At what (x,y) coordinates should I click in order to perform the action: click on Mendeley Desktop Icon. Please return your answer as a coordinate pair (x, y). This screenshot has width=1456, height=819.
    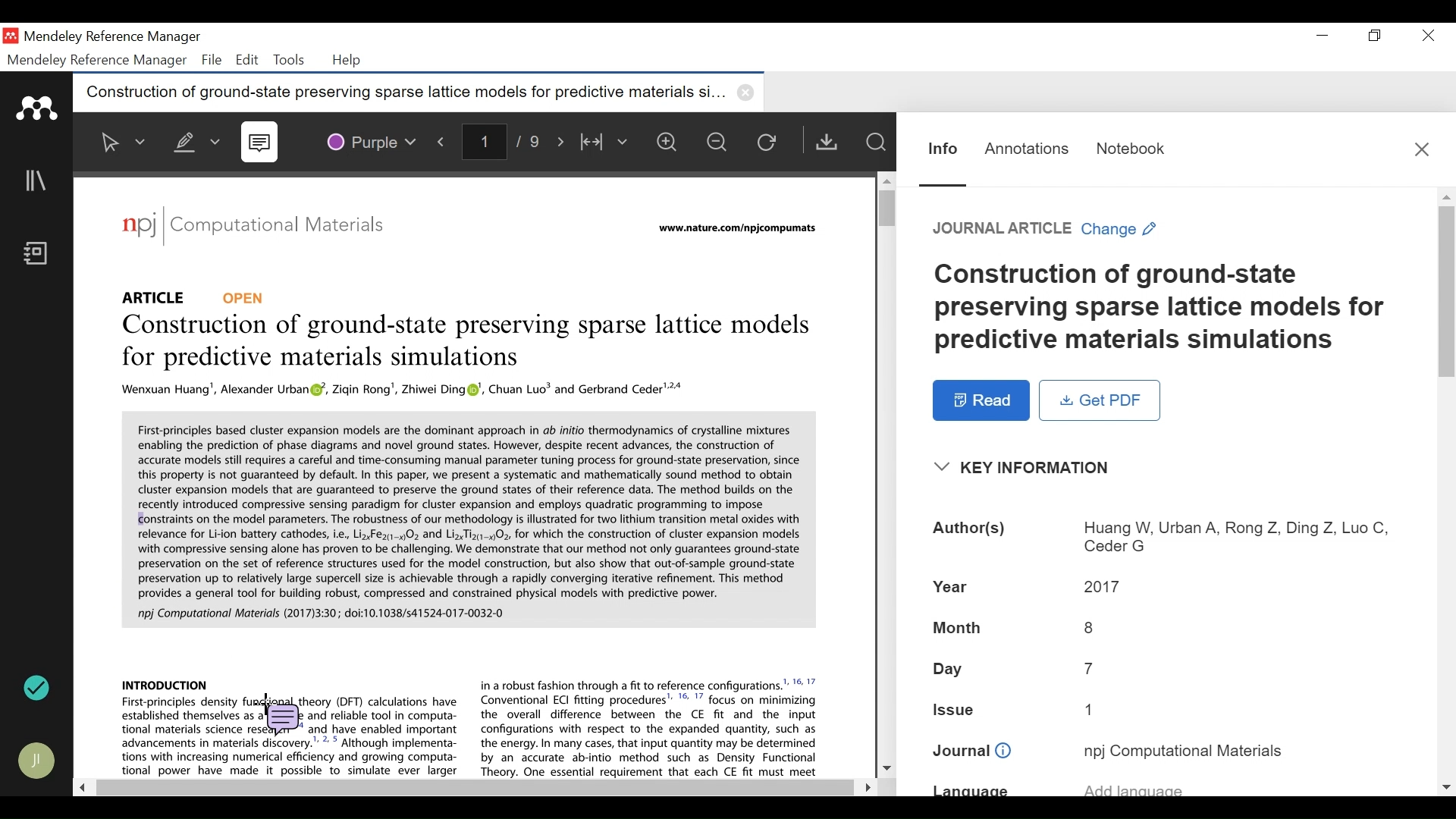
    Looking at the image, I should click on (11, 36).